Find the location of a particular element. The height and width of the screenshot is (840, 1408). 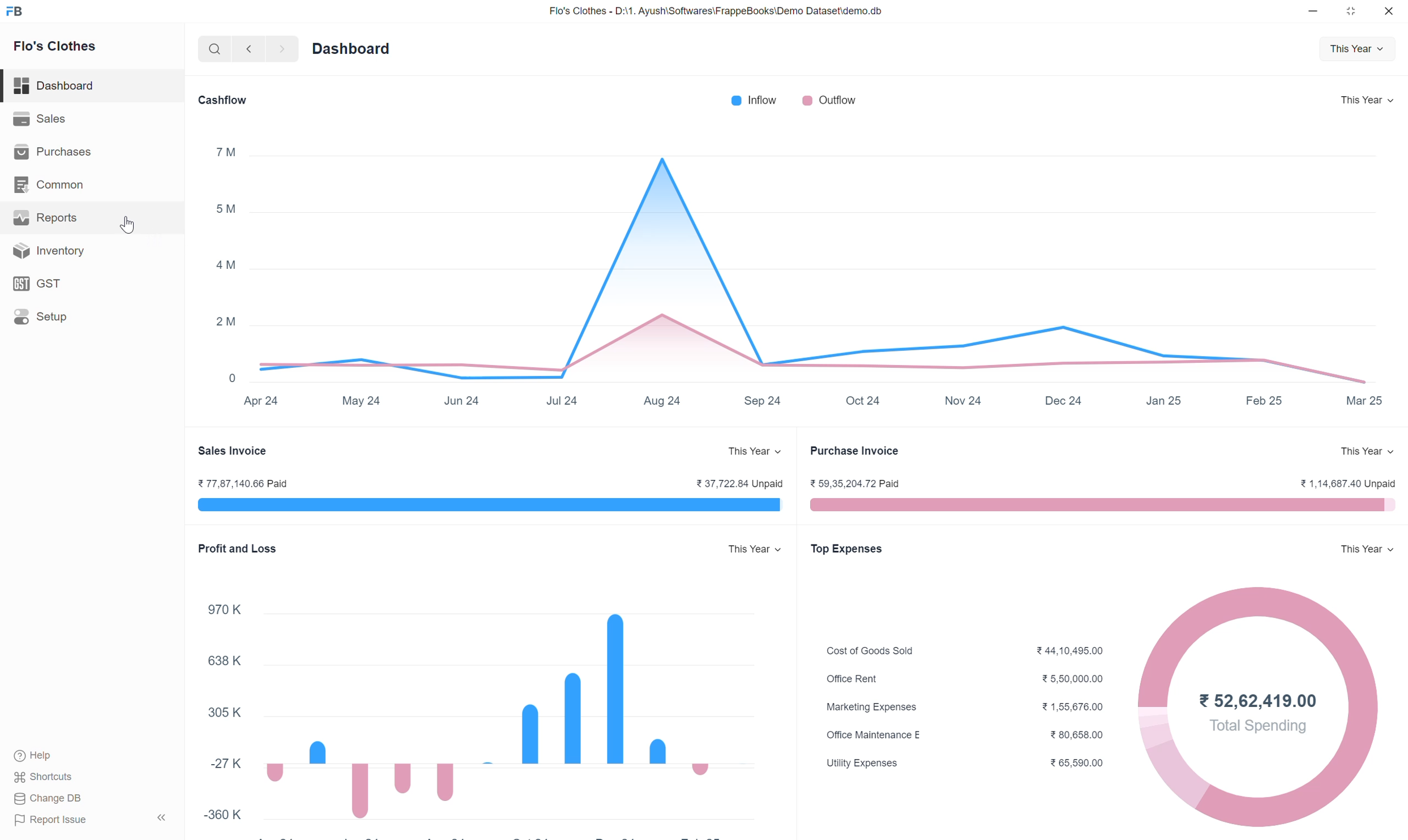

Reports is located at coordinates (82, 218).